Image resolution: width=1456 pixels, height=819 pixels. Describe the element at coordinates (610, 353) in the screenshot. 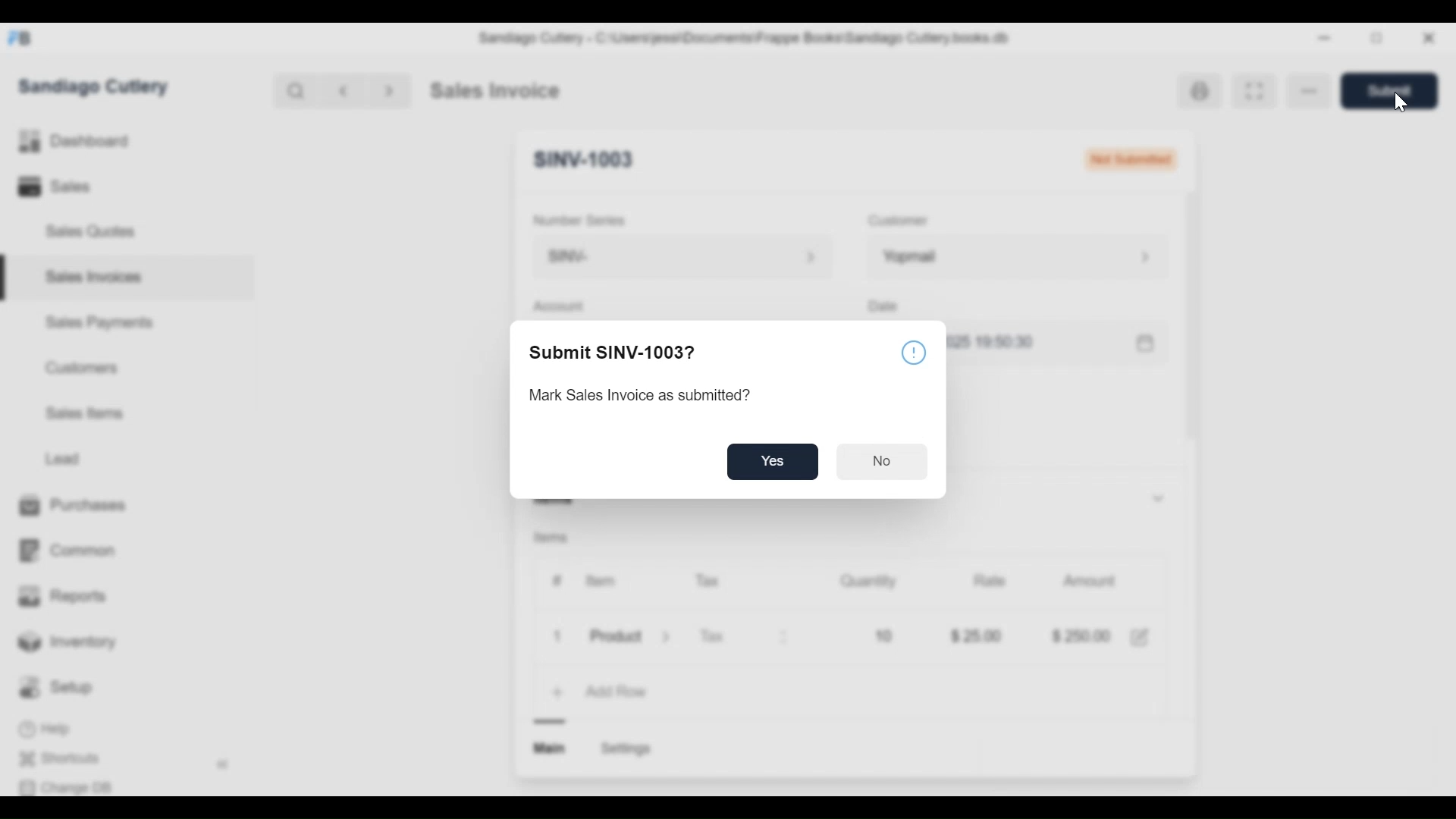

I see `Submit SINV-1003?` at that location.